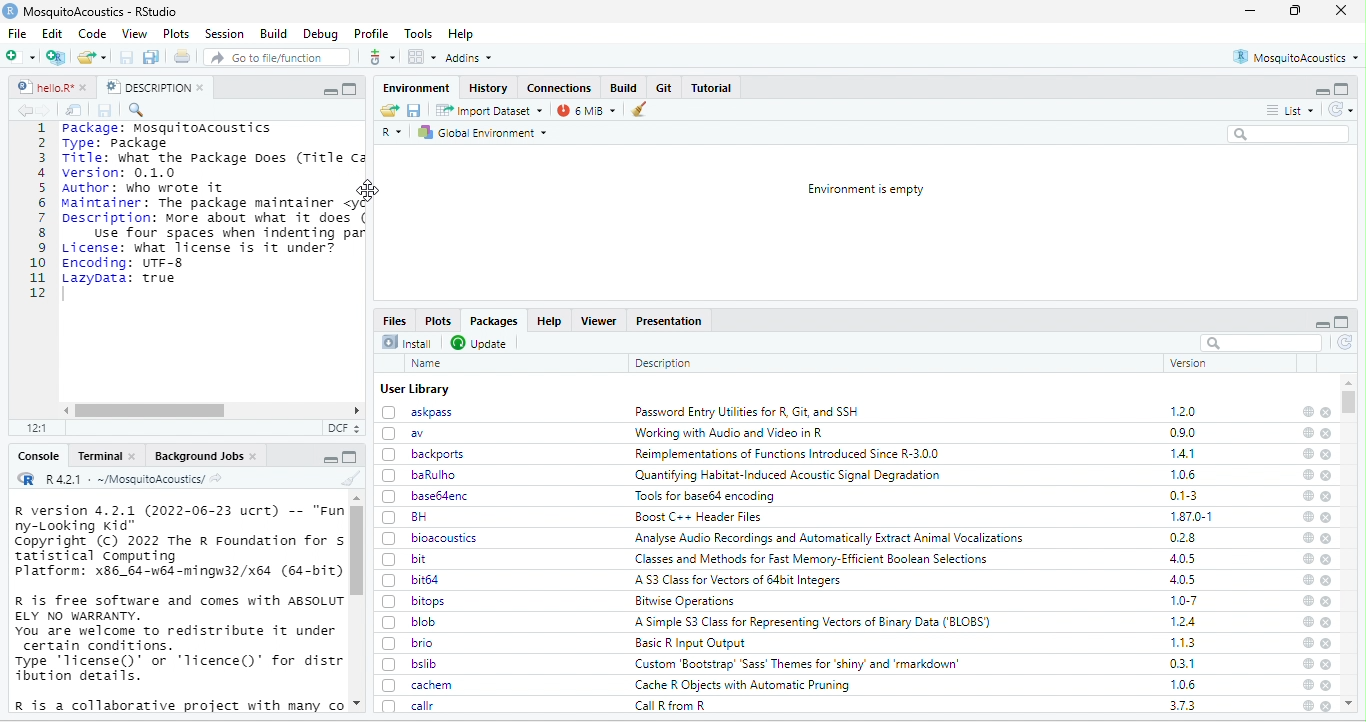  I want to click on scroll bar, so click(1353, 402).